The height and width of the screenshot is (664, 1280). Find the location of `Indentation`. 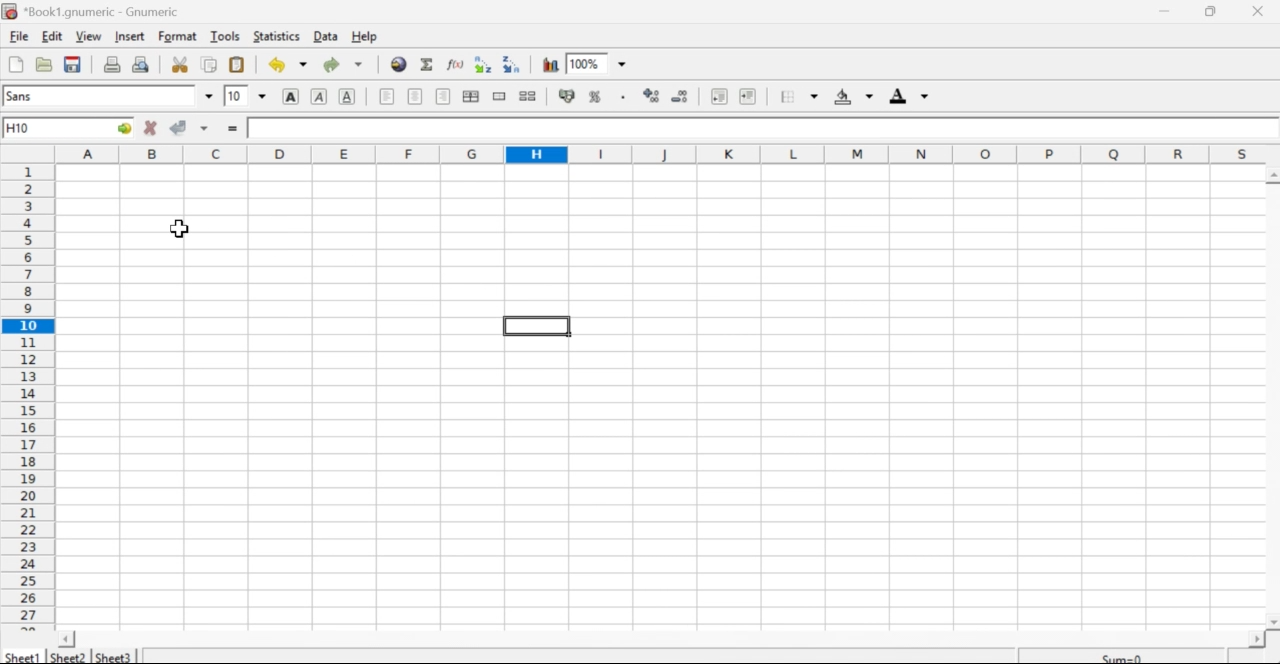

Indentation is located at coordinates (732, 97).